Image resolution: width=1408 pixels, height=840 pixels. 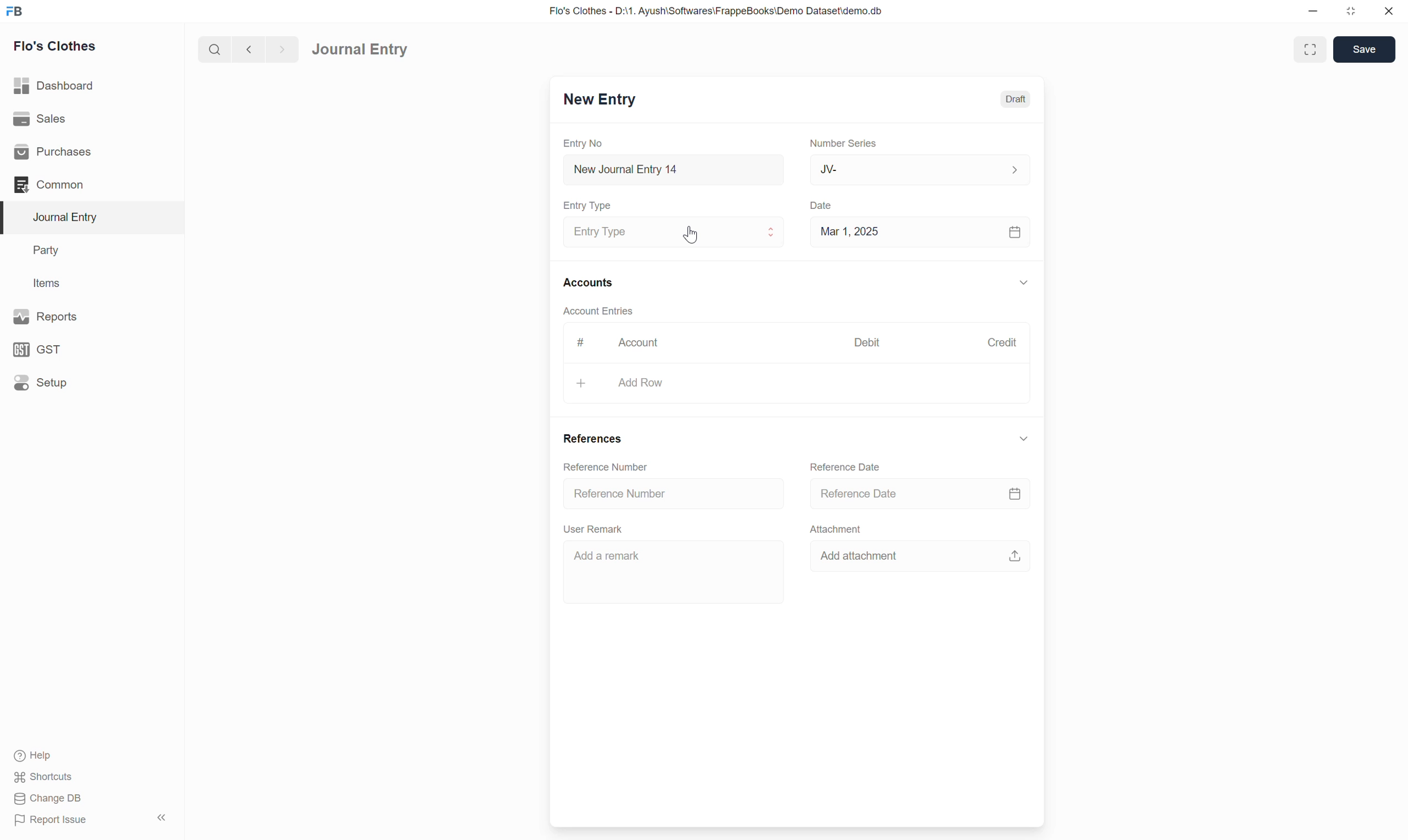 I want to click on Save, so click(x=1365, y=50).